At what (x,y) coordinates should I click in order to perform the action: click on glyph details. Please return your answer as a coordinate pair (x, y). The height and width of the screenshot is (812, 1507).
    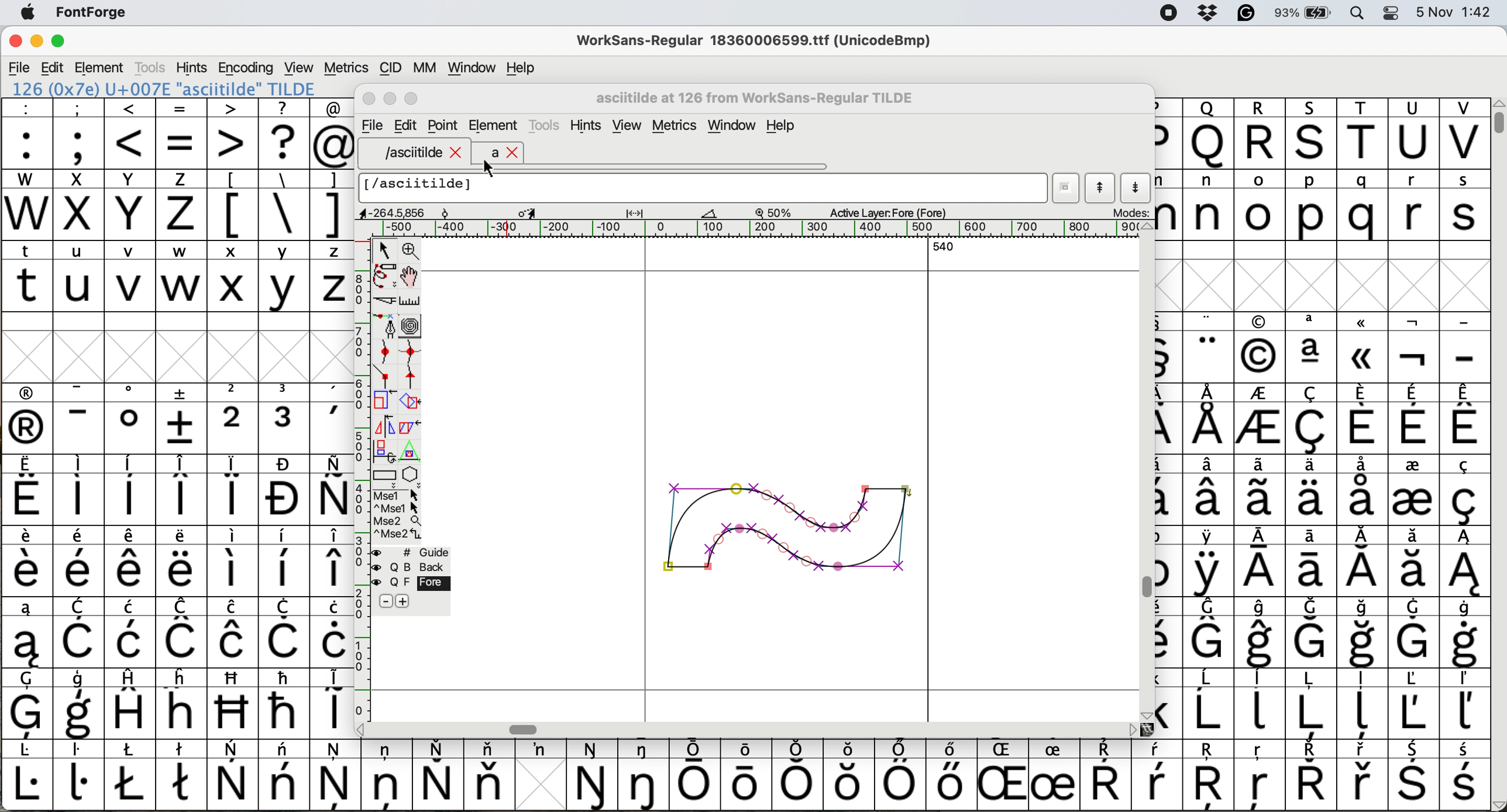
    Looking at the image, I should click on (546, 212).